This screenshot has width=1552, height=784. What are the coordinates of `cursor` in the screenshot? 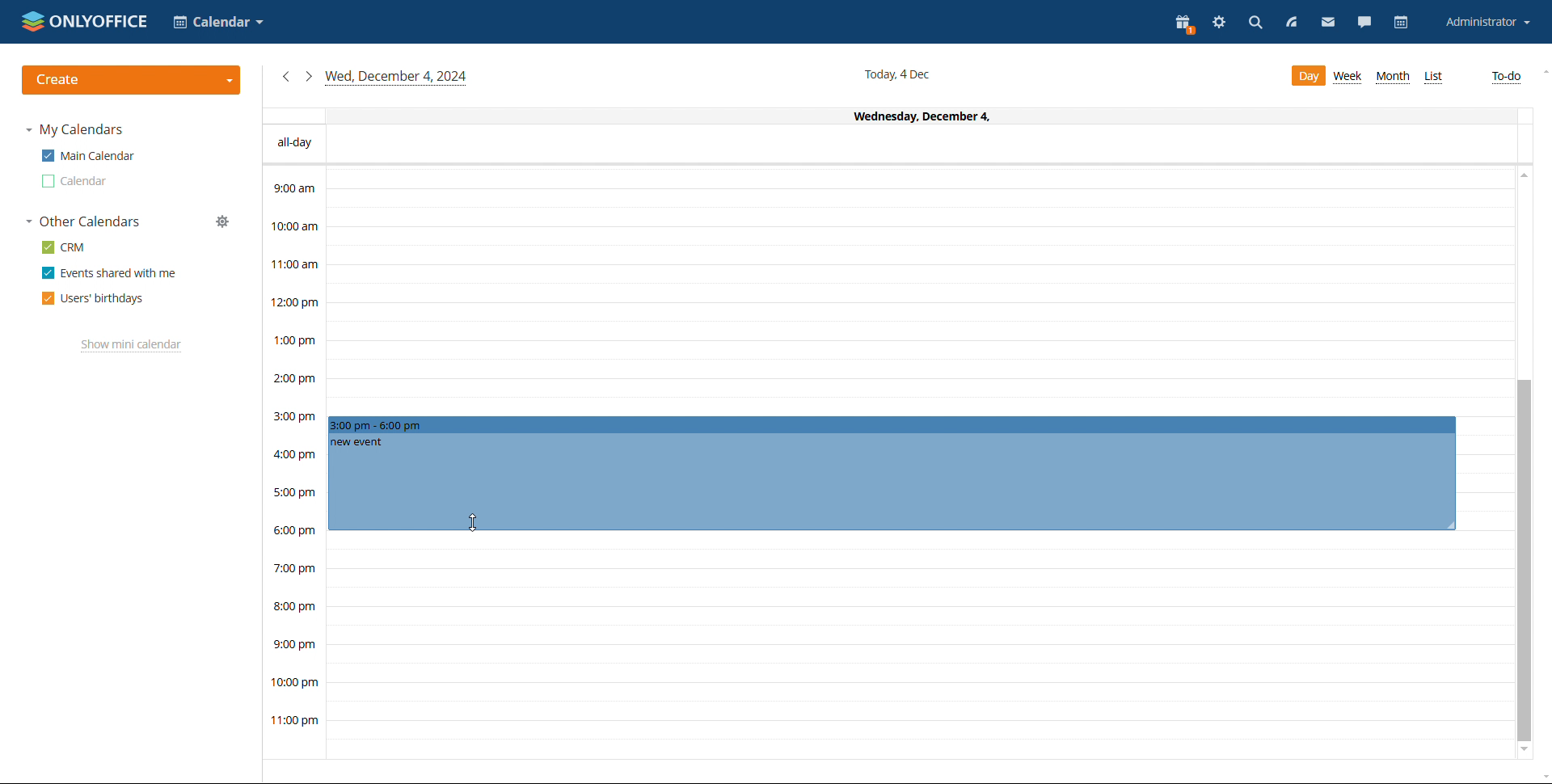 It's located at (473, 522).